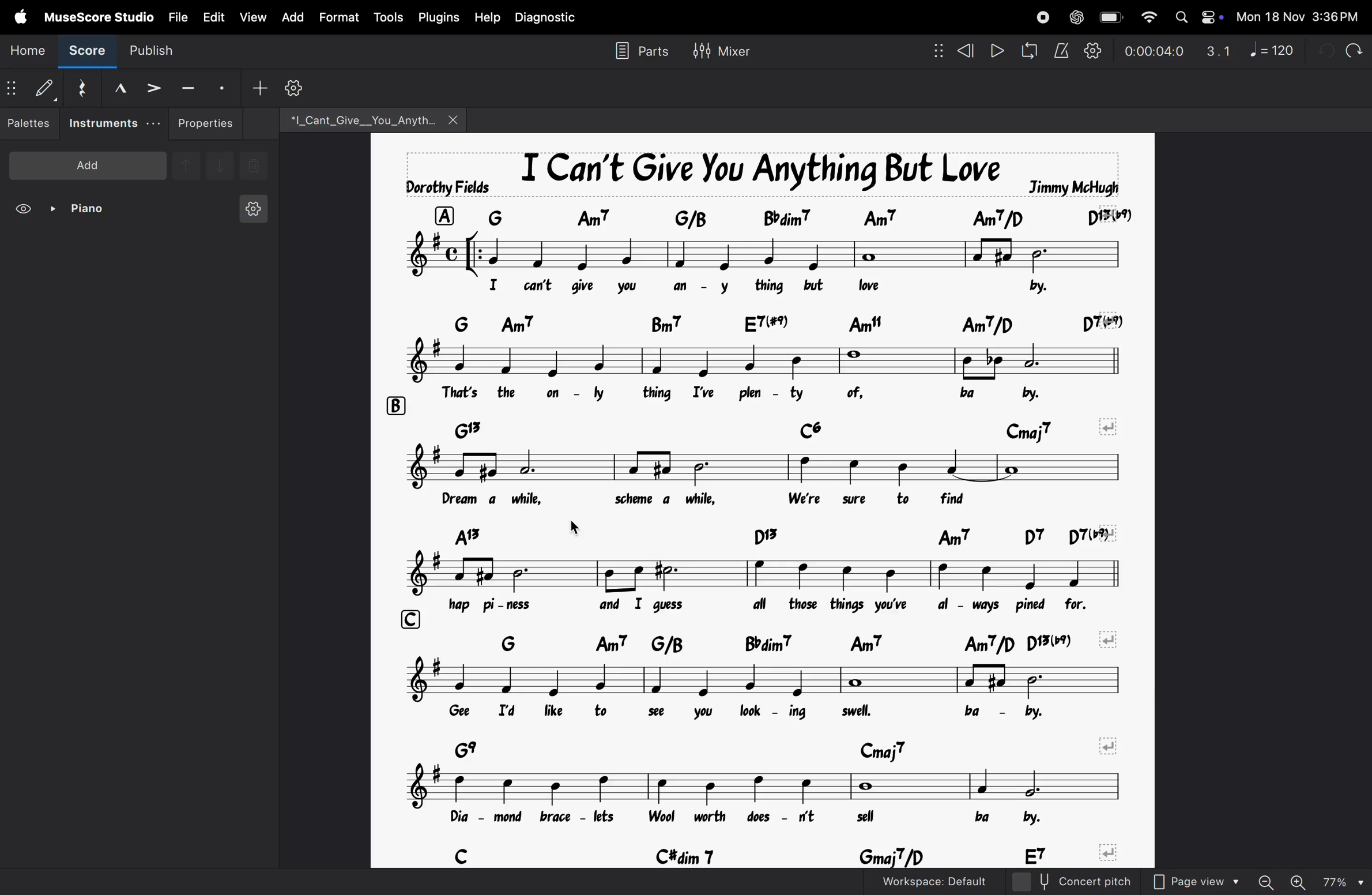  What do you see at coordinates (933, 879) in the screenshot?
I see `workspace default` at bounding box center [933, 879].